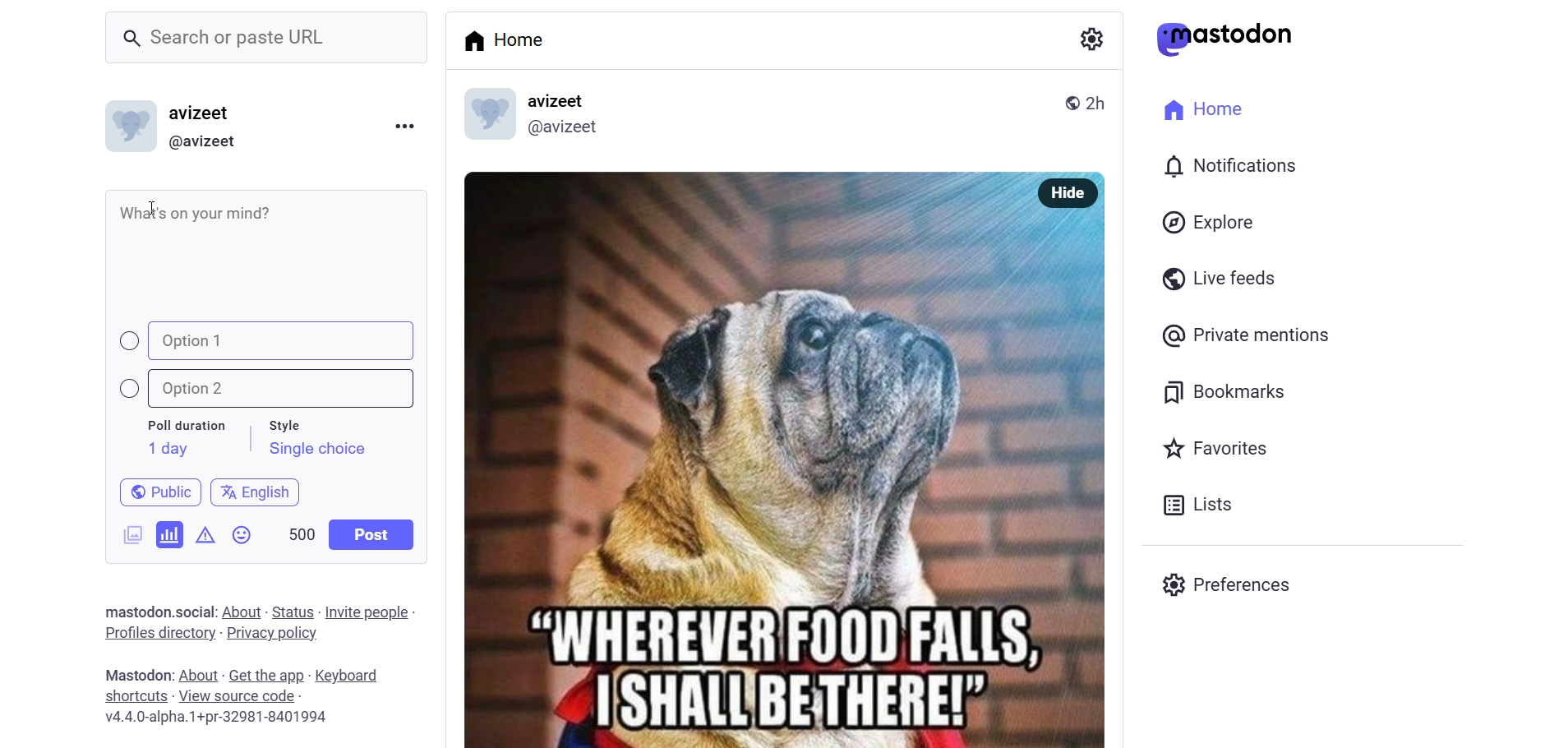 The image size is (1568, 748). What do you see at coordinates (1063, 193) in the screenshot?
I see `hide` at bounding box center [1063, 193].